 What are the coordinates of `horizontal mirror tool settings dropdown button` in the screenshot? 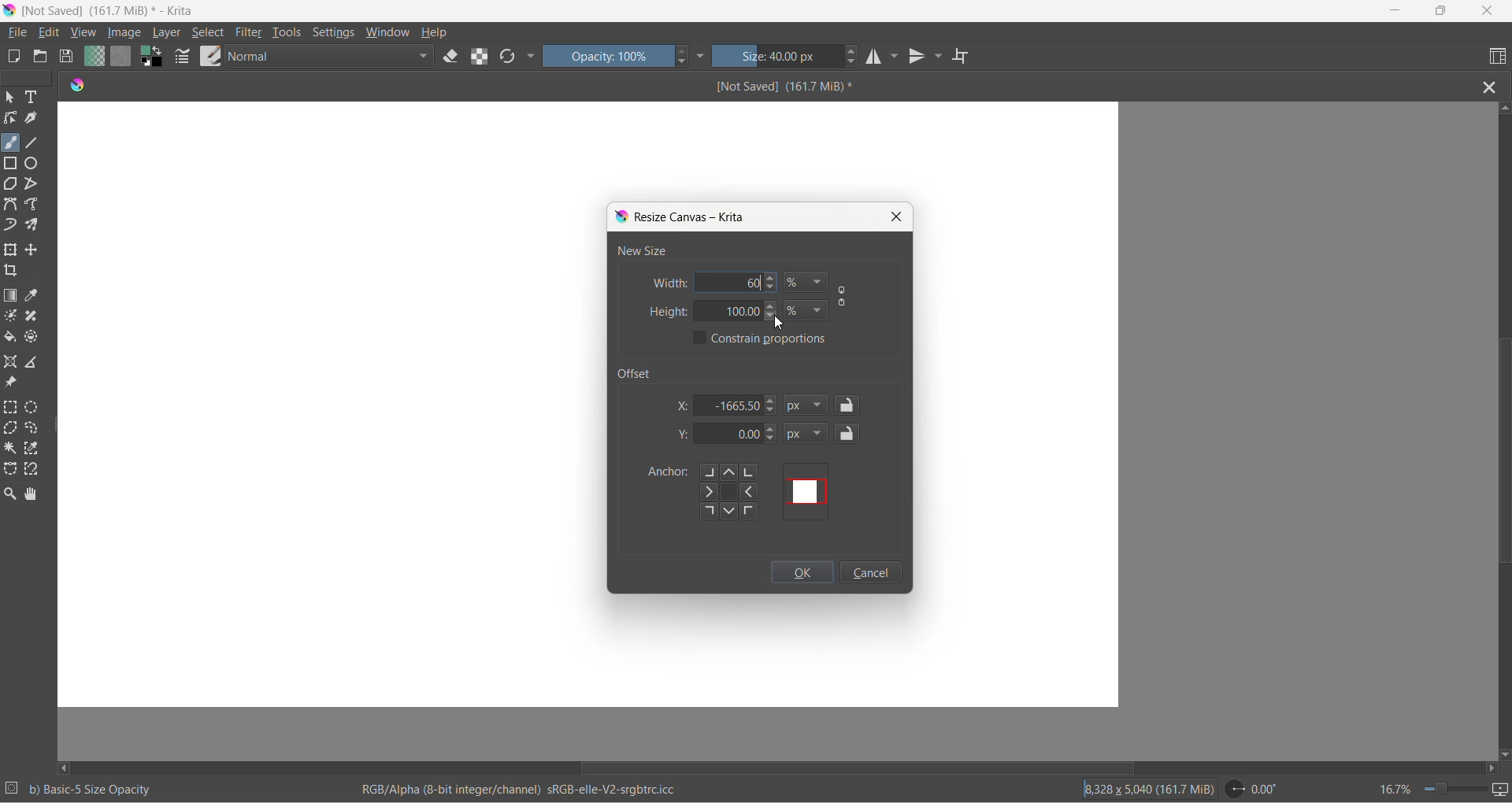 It's located at (896, 60).